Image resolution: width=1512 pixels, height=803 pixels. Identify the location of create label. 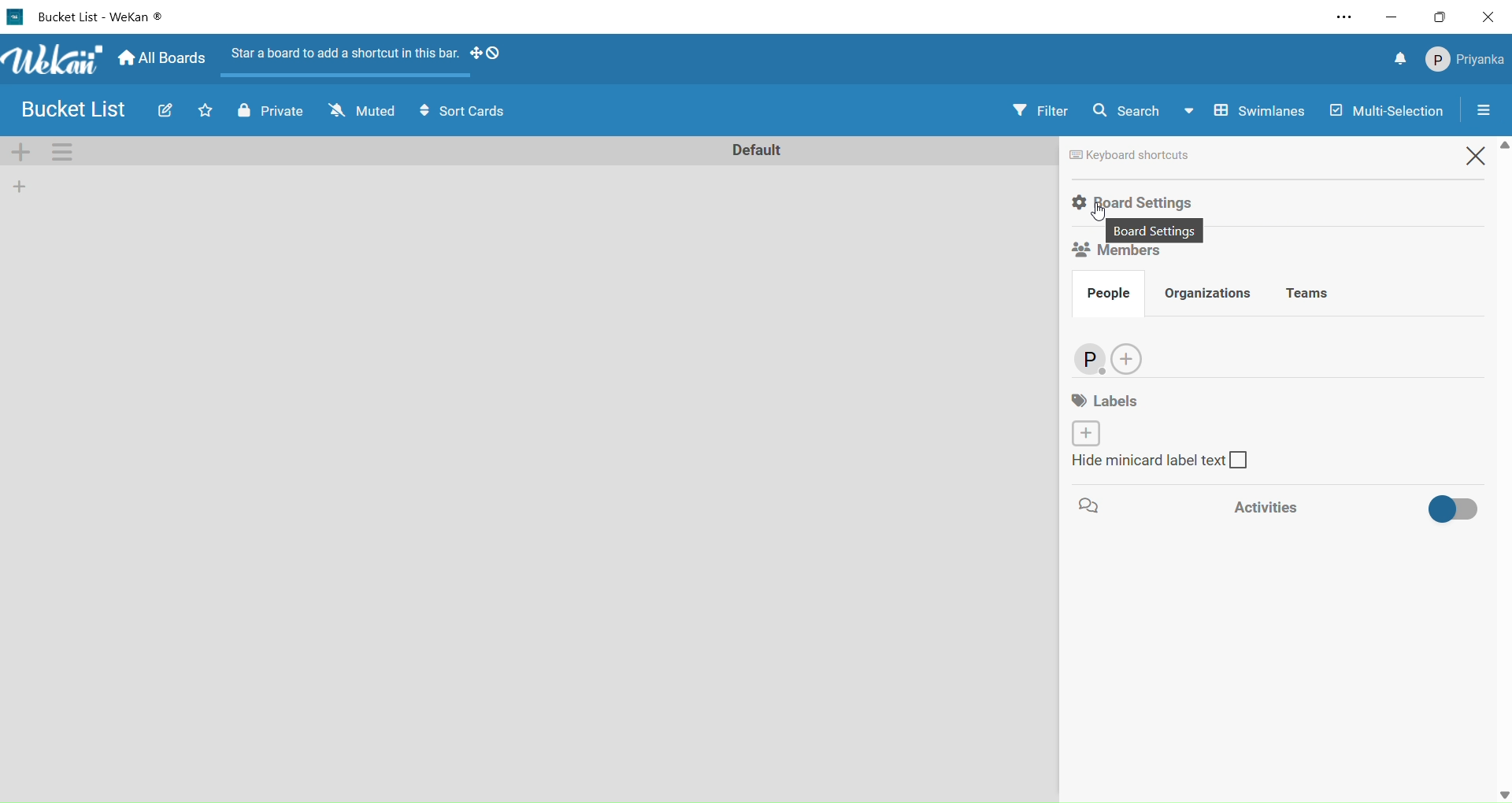
(1085, 432).